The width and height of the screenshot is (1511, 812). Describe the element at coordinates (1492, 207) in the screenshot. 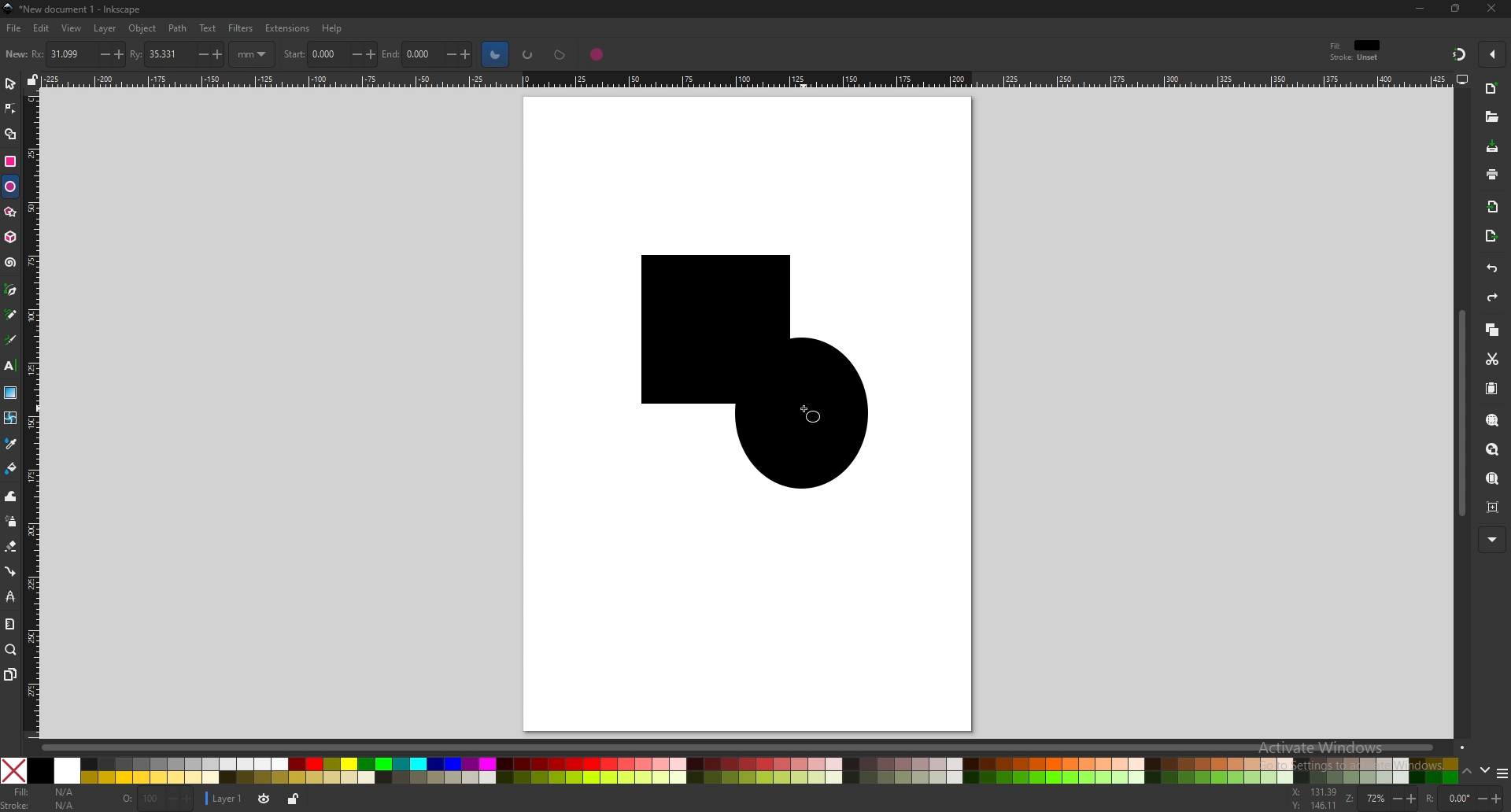

I see `import` at that location.